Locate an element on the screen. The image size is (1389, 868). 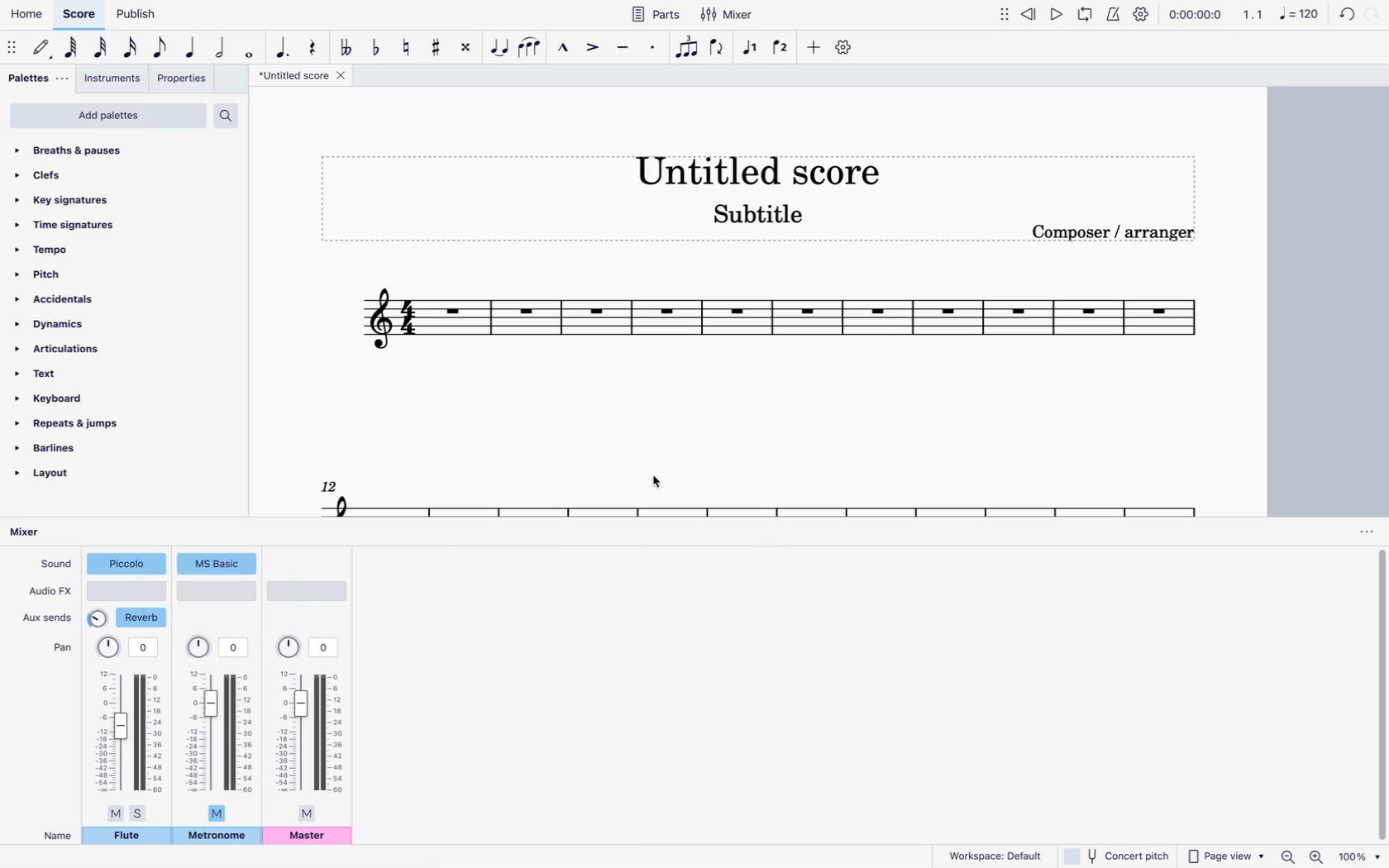
text is located at coordinates (61, 375).